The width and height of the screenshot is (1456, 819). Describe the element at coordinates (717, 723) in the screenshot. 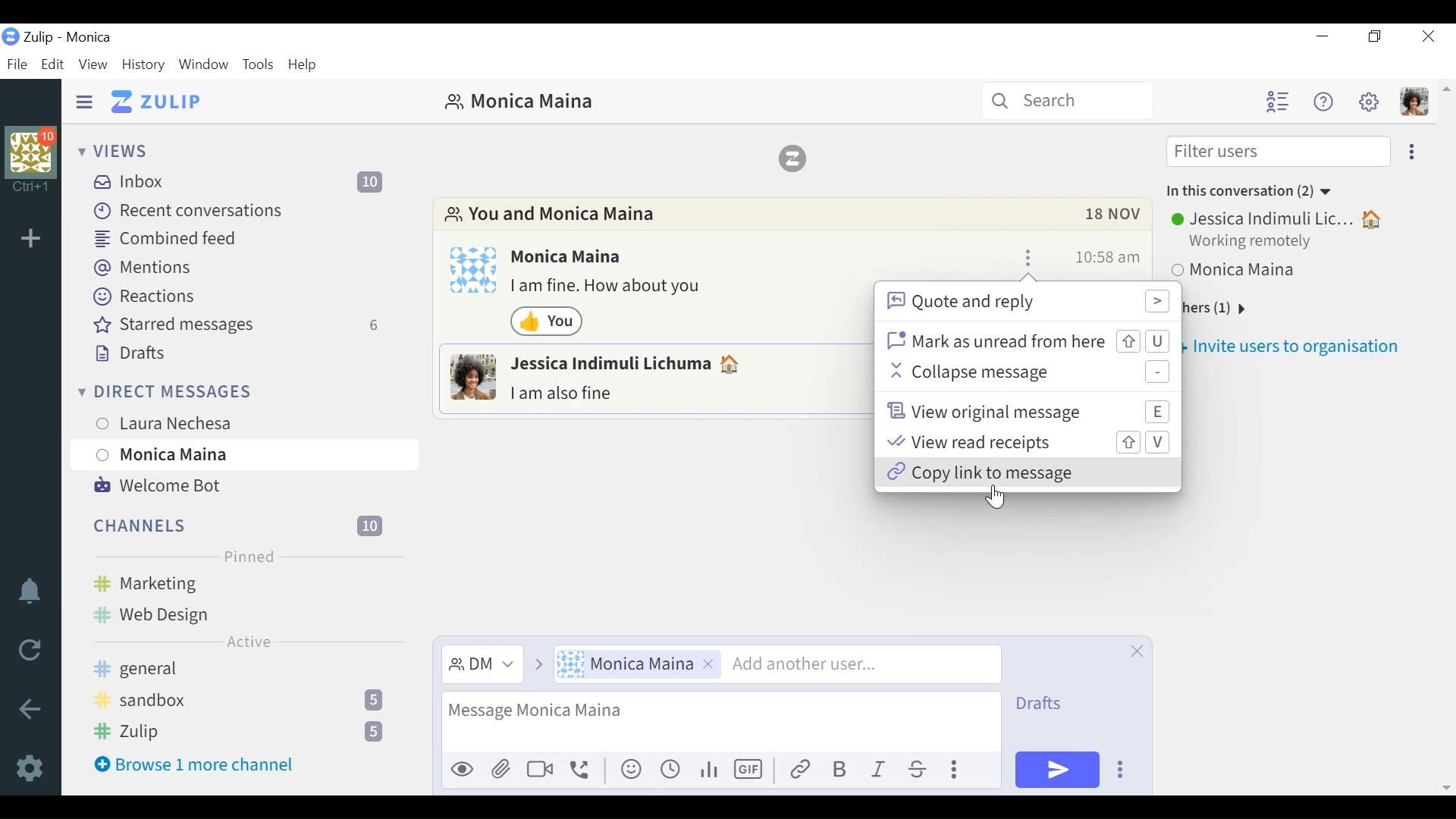

I see `message text input` at that location.